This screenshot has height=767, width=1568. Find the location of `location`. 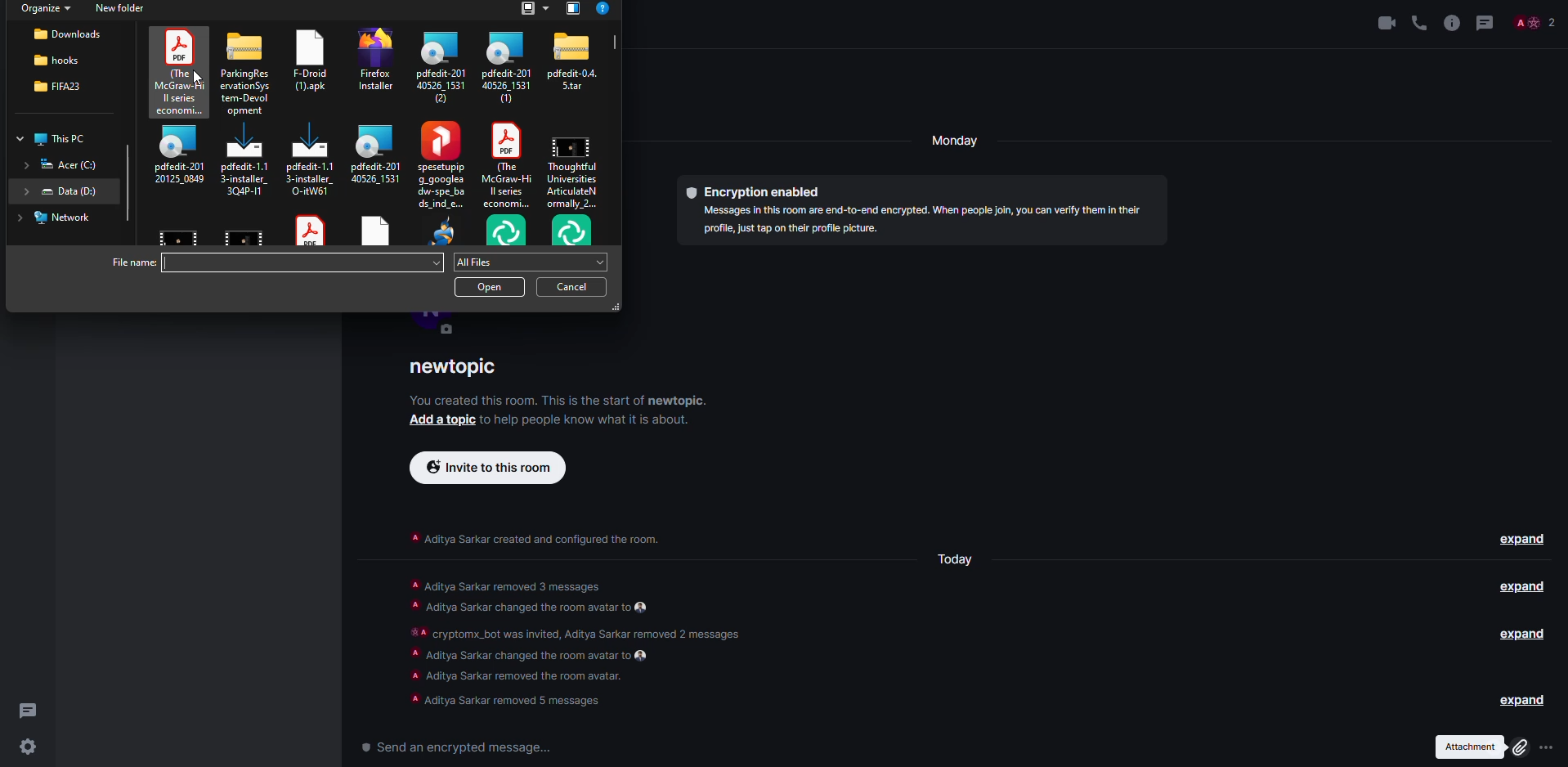

location is located at coordinates (54, 218).